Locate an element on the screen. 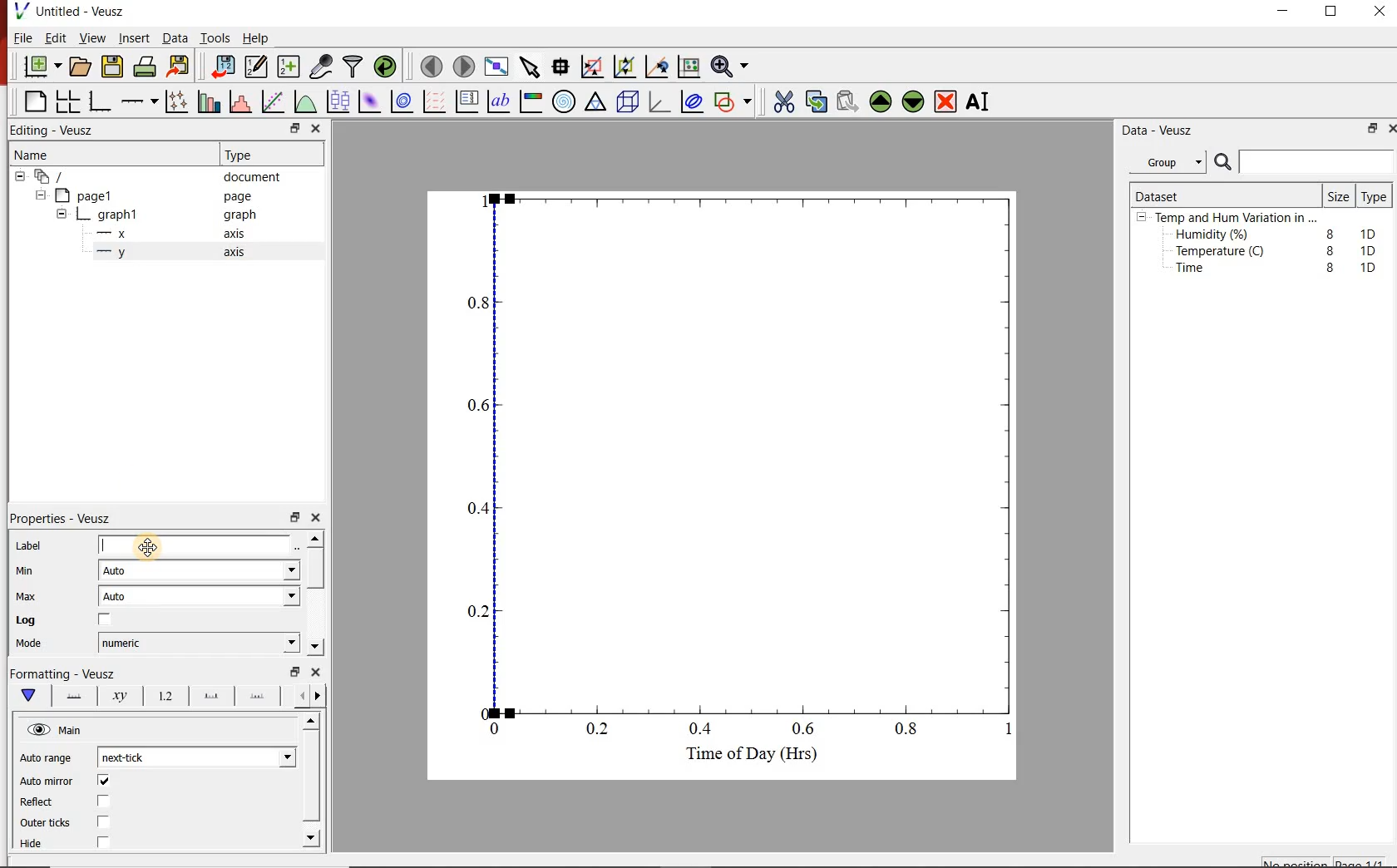 The height and width of the screenshot is (868, 1397). plot a 2d dataset as an image is located at coordinates (370, 102).